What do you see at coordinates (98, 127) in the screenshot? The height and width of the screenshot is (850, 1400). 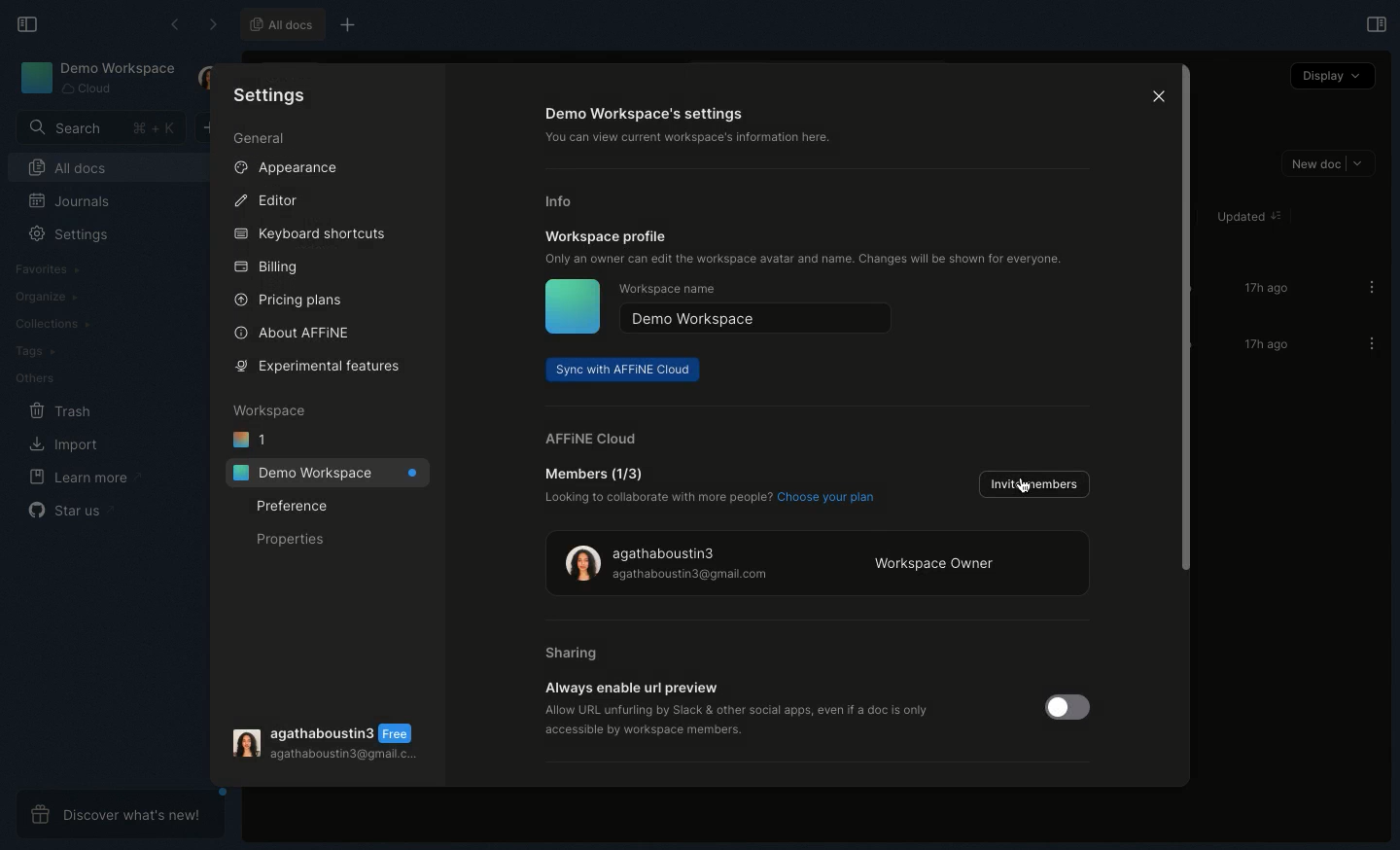 I see `Search` at bounding box center [98, 127].